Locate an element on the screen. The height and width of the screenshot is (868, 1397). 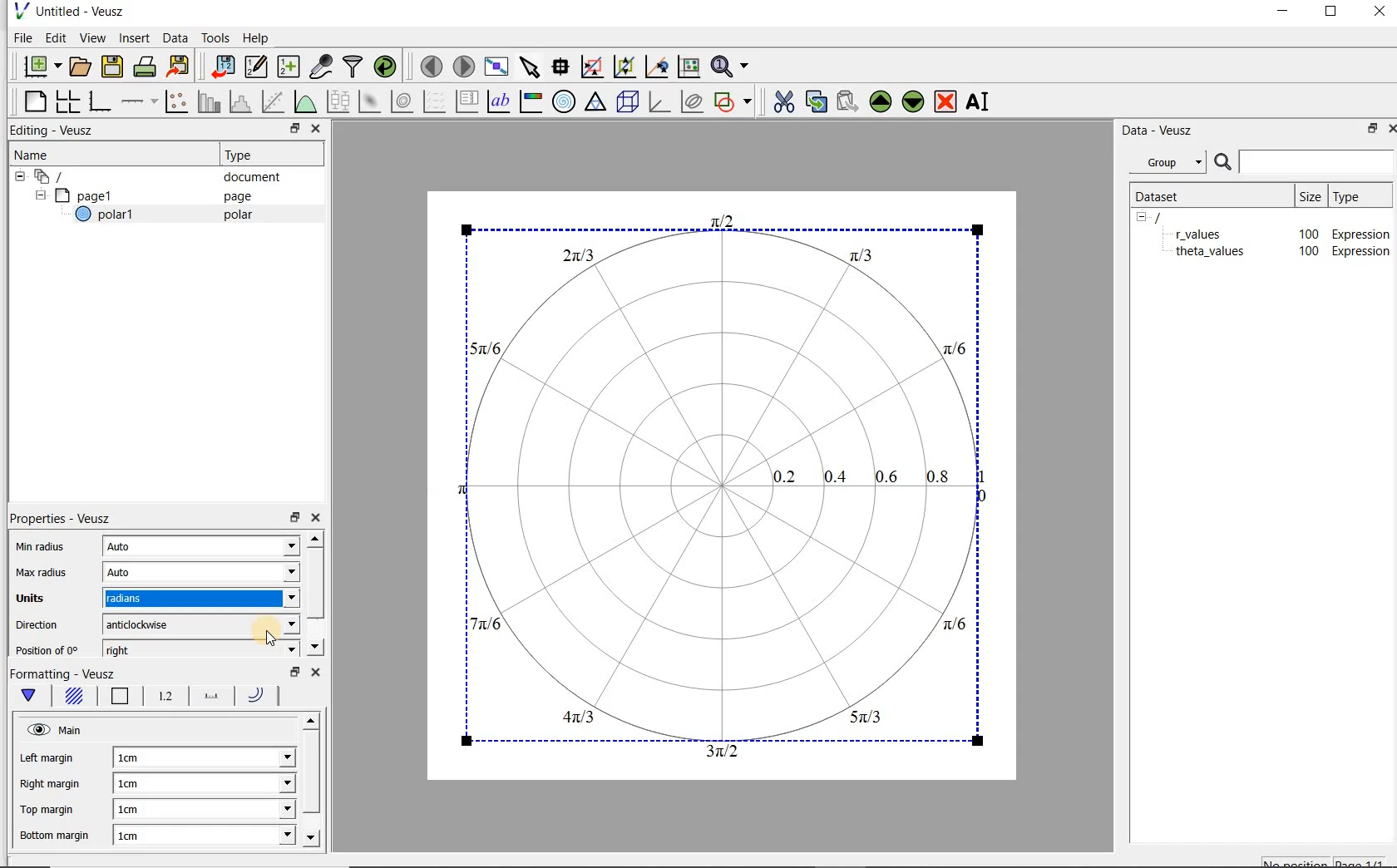
Type is located at coordinates (245, 155).